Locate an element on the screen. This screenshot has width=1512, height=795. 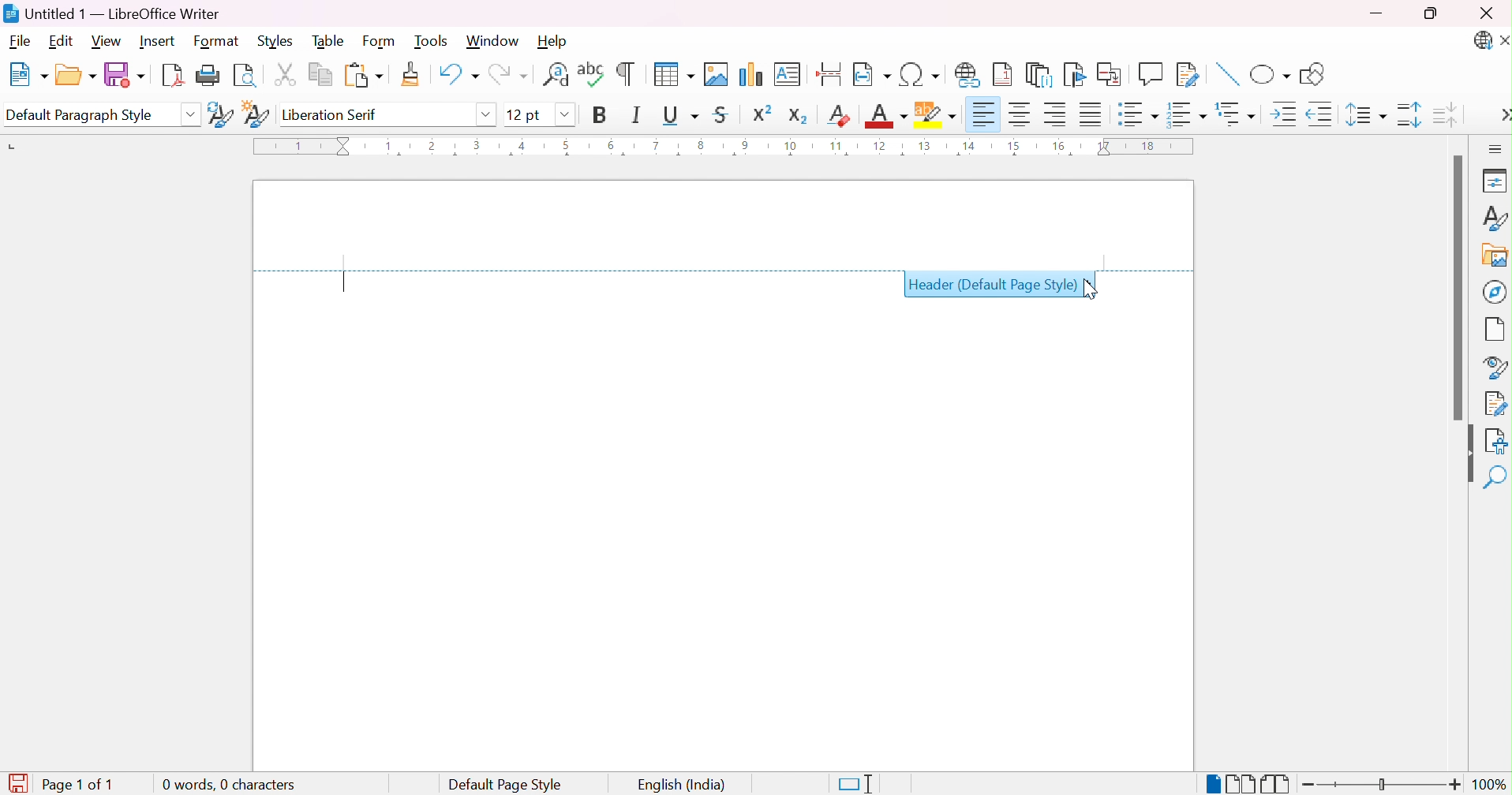
Insert comment is located at coordinates (1149, 76).